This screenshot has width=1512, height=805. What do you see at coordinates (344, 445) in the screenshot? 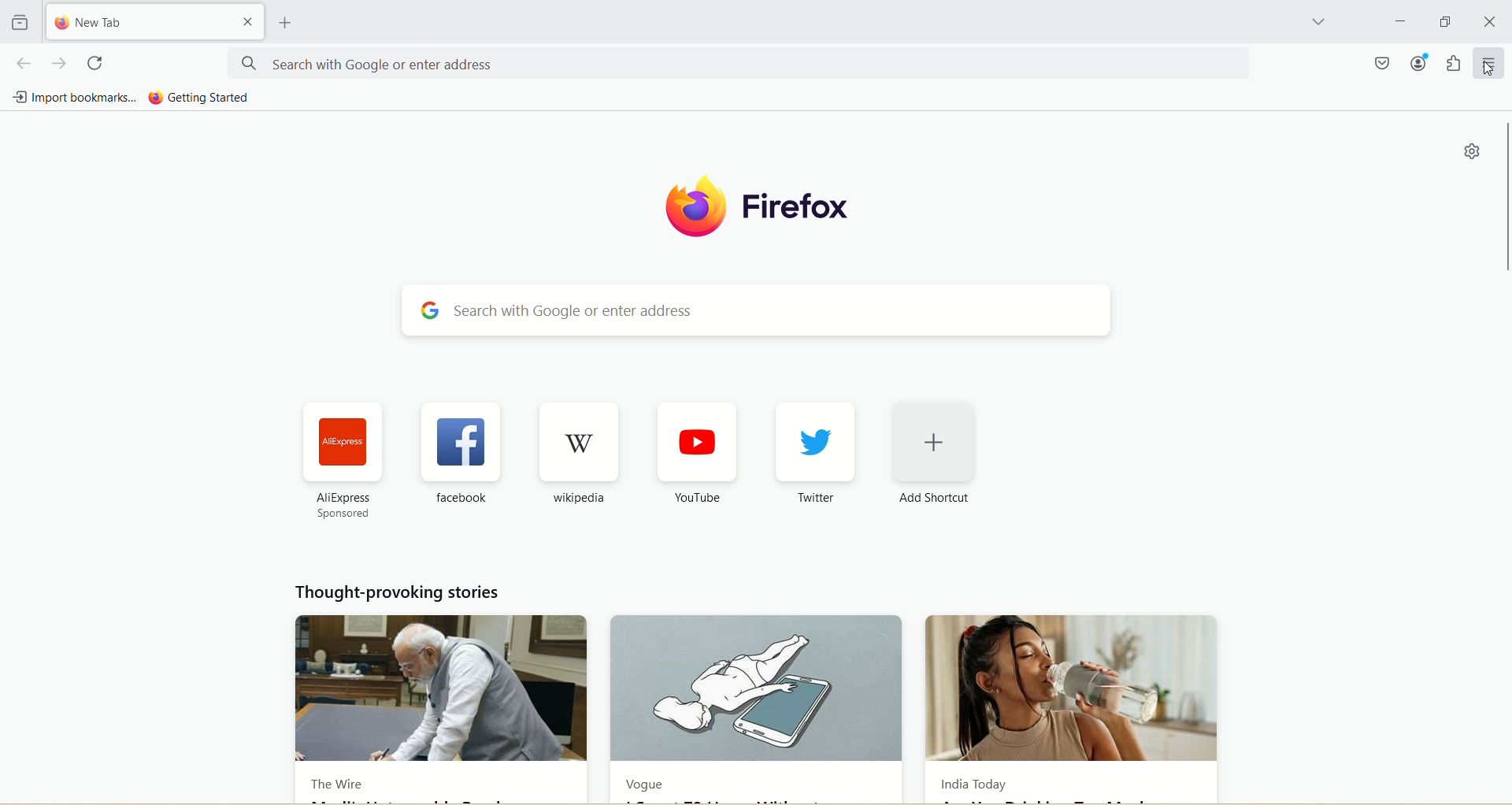
I see `aliexpress` at bounding box center [344, 445].